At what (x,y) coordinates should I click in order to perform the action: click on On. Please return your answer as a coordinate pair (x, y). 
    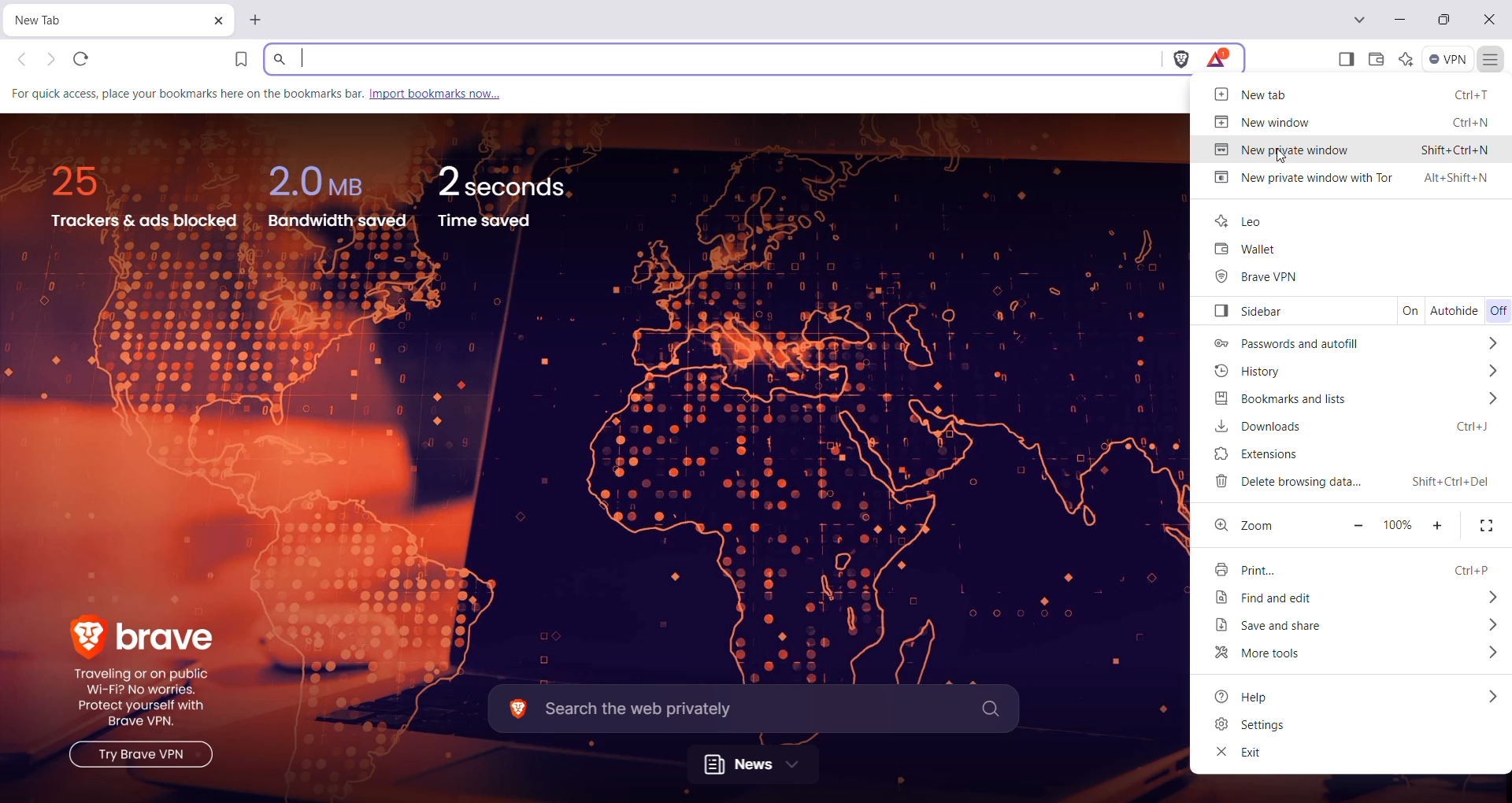
    Looking at the image, I should click on (1409, 310).